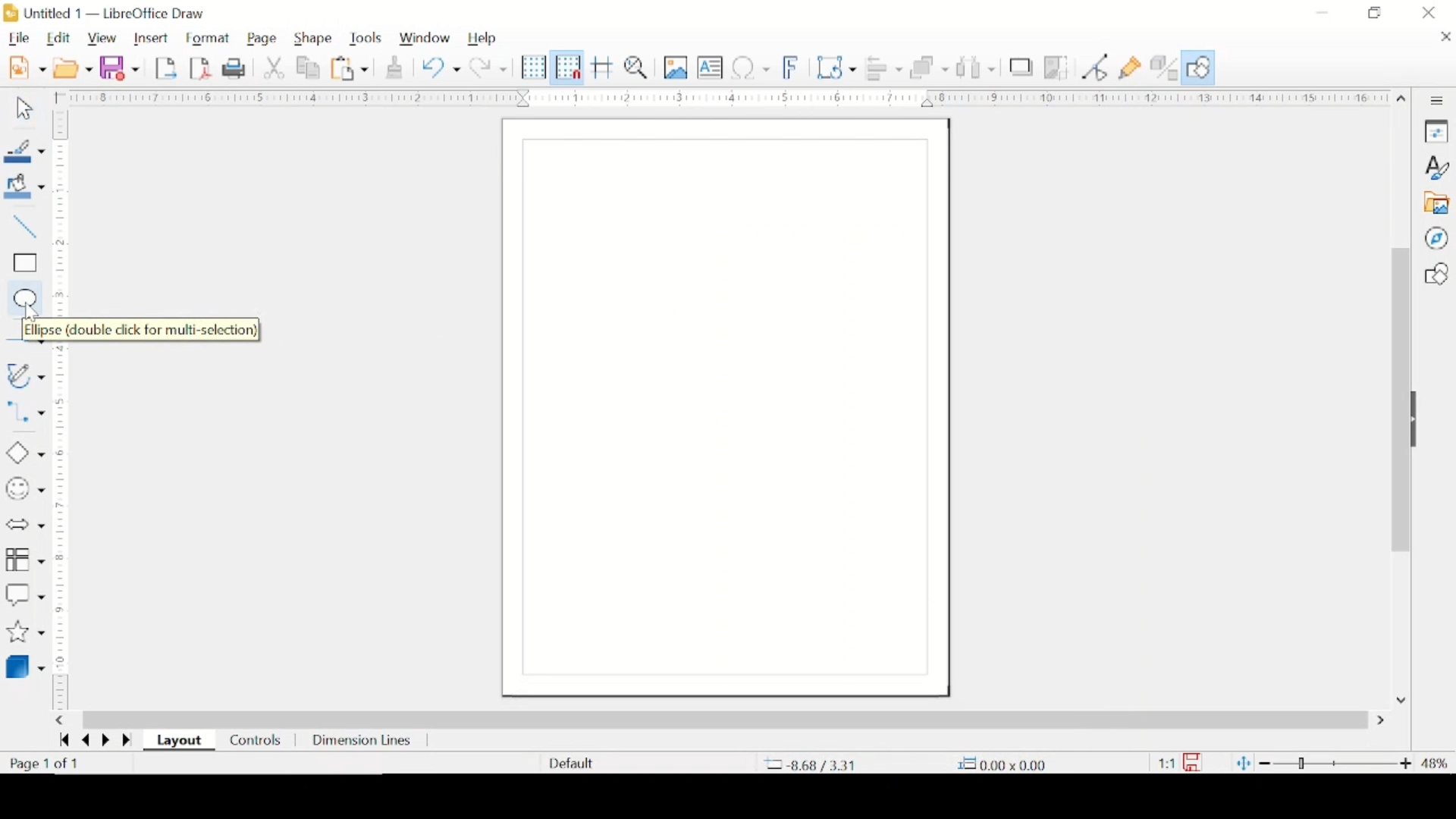 Image resolution: width=1456 pixels, height=819 pixels. Describe the element at coordinates (168, 67) in the screenshot. I see `export` at that location.